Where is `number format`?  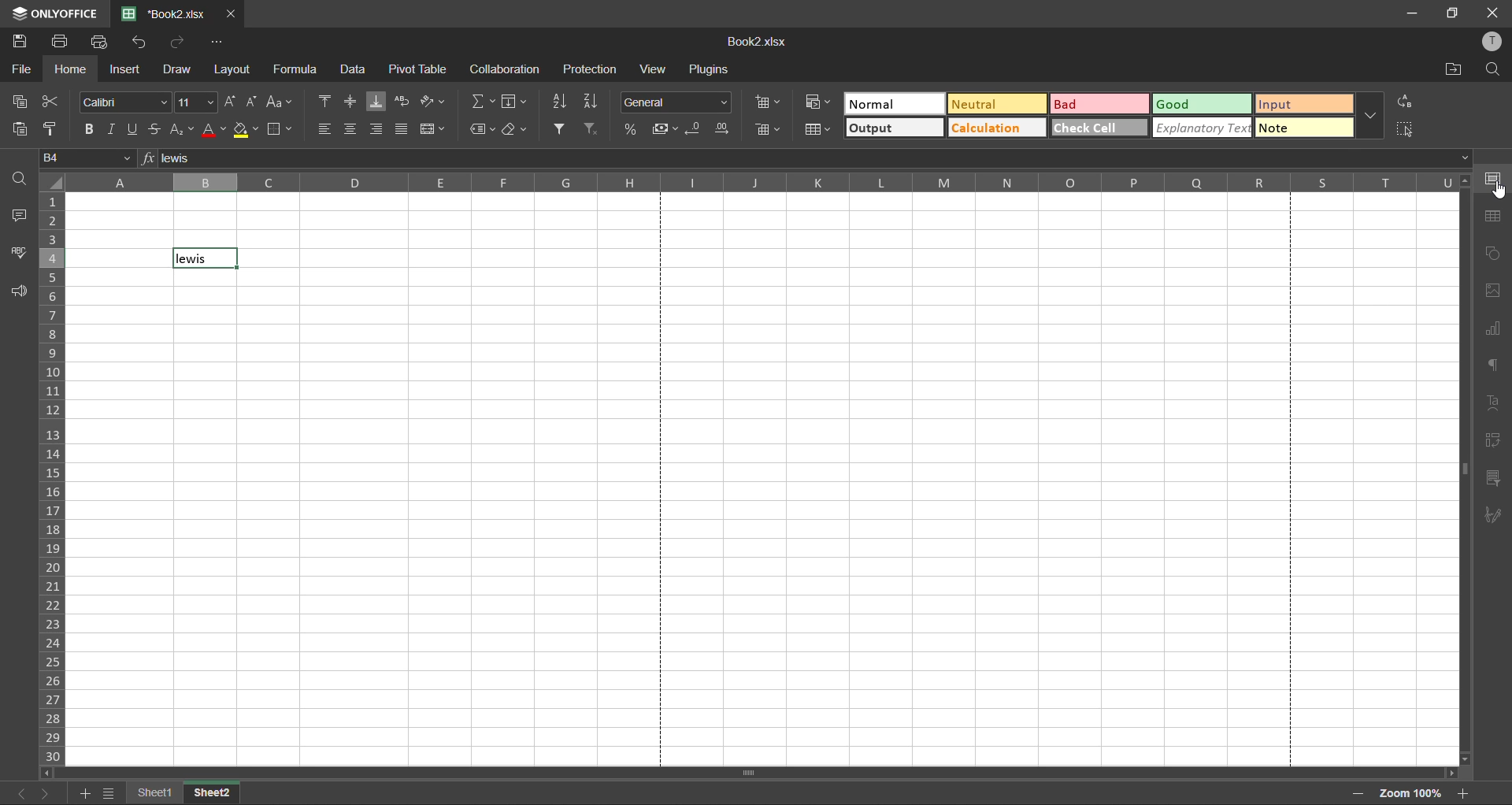
number format is located at coordinates (678, 102).